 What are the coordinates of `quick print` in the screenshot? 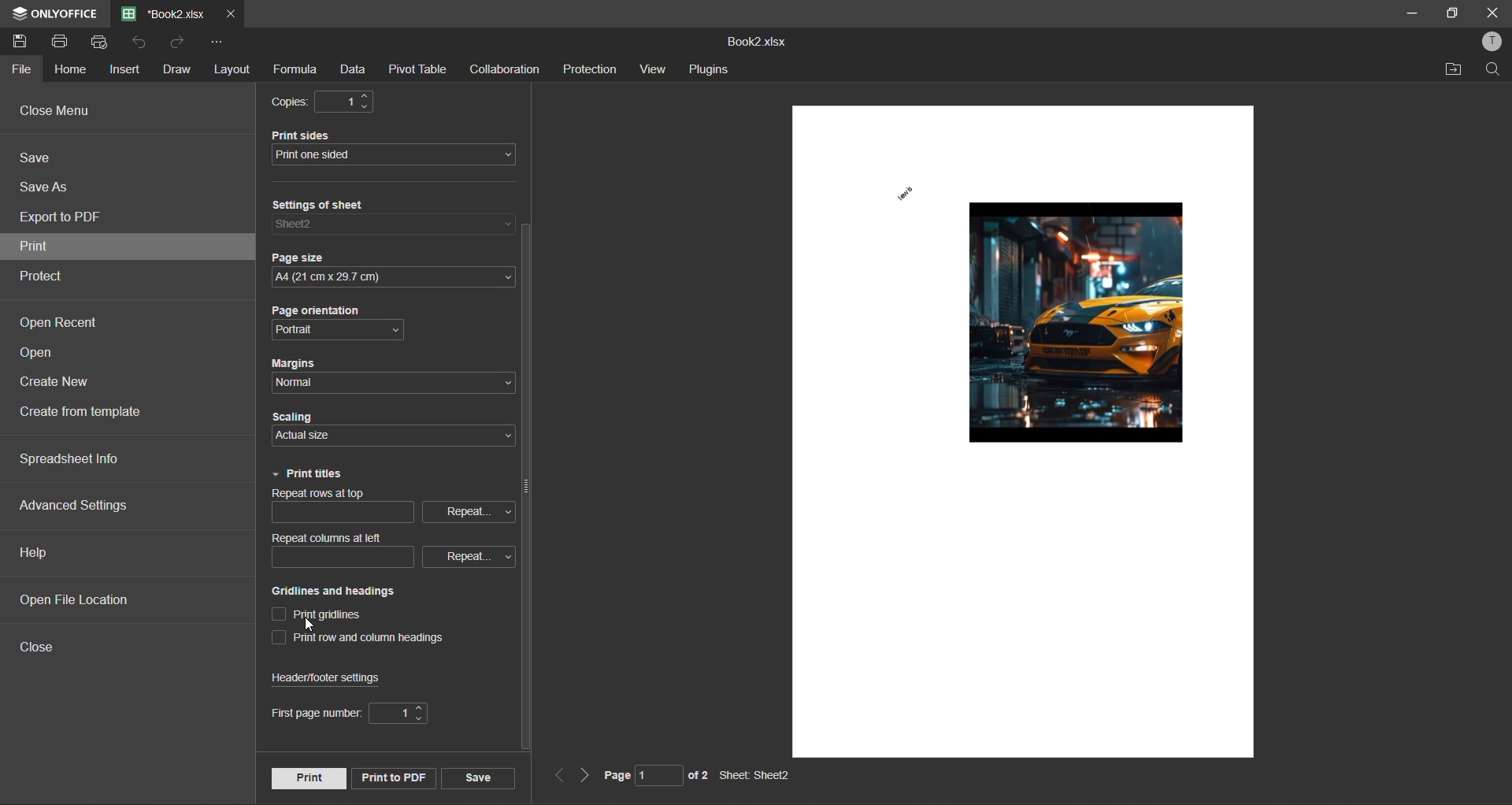 It's located at (100, 41).